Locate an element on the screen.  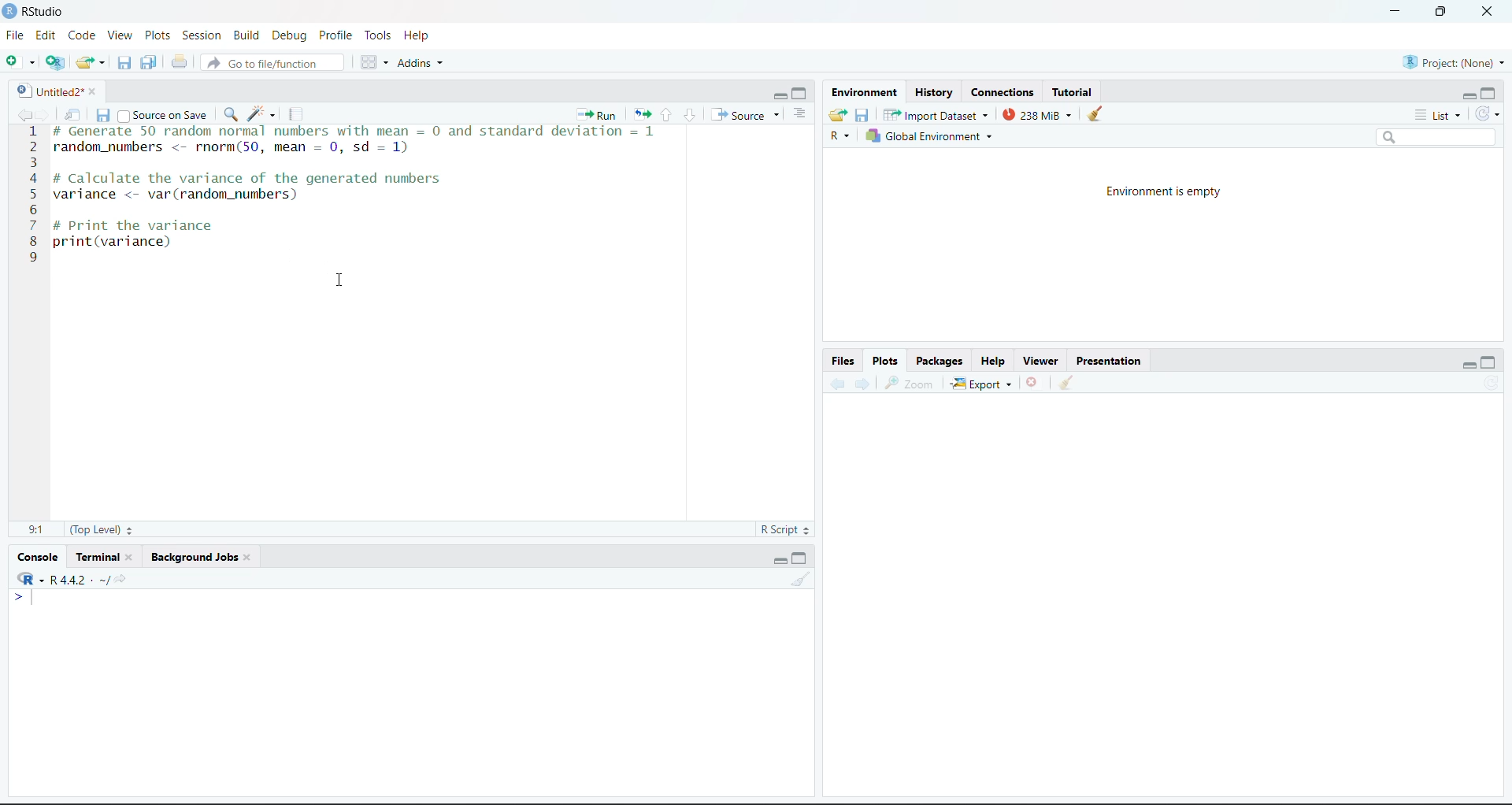
Global Environment is located at coordinates (928, 135).